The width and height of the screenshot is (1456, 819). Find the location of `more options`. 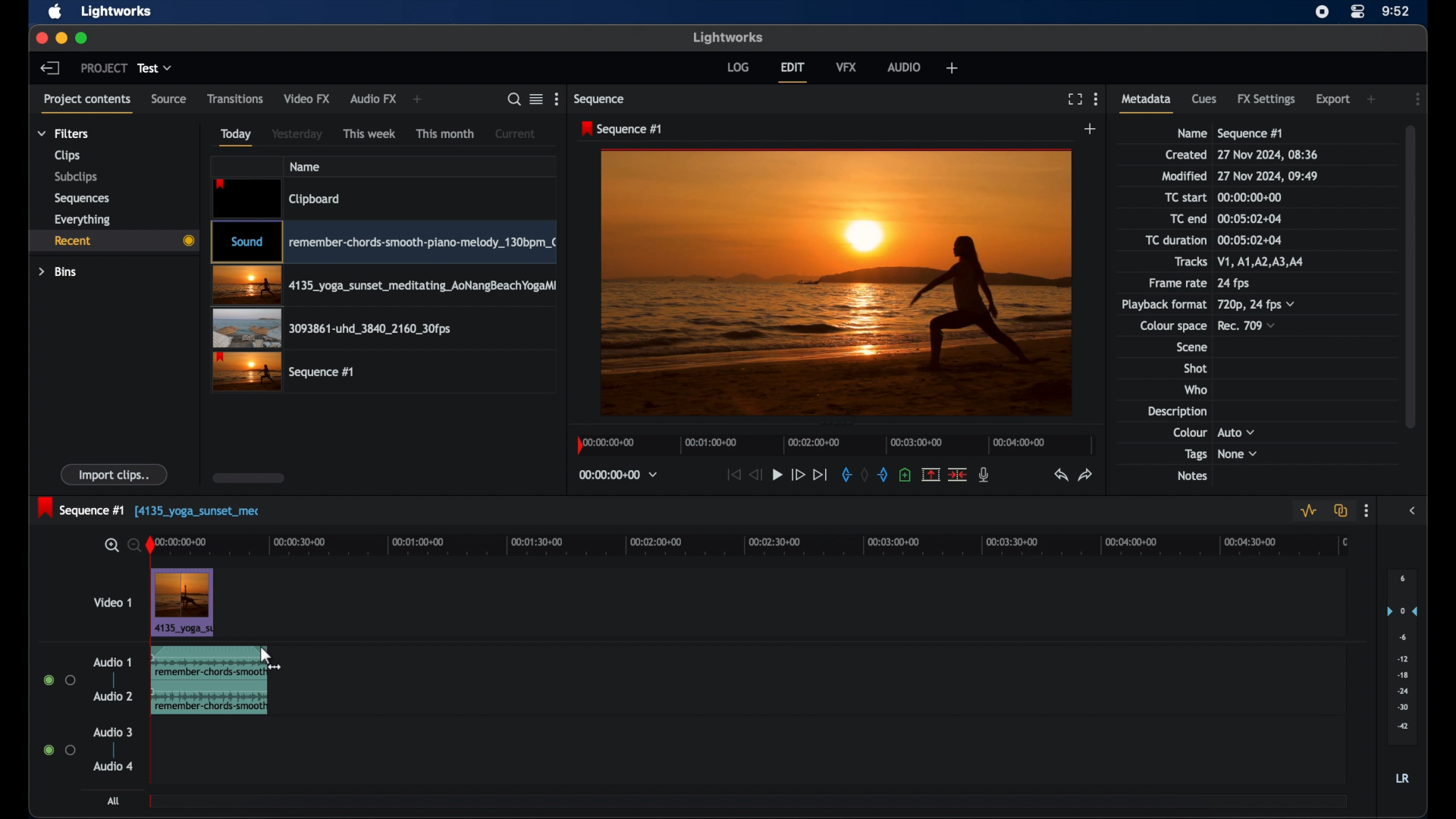

more options is located at coordinates (1418, 99).